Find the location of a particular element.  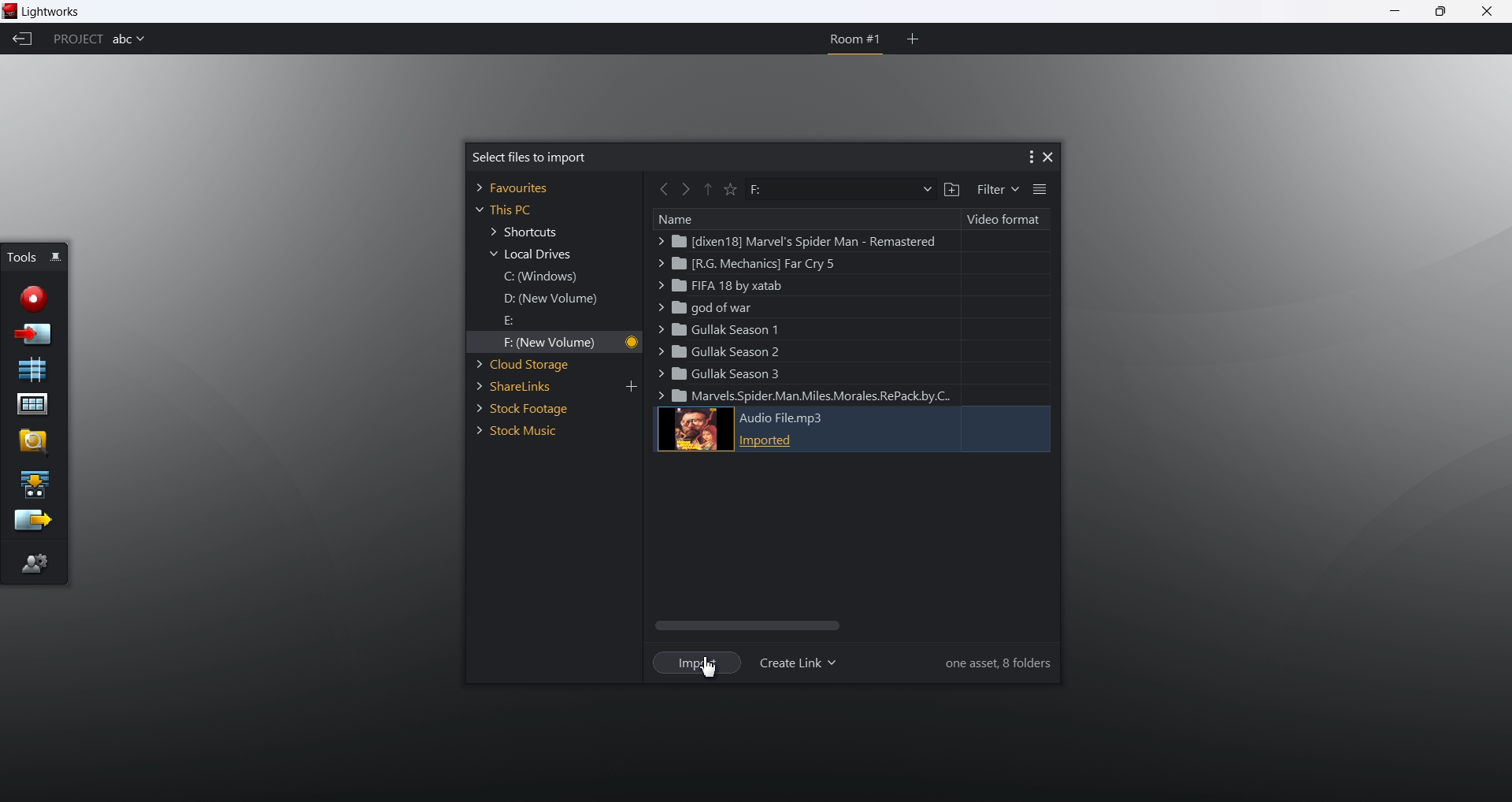

list view is located at coordinates (1042, 191).